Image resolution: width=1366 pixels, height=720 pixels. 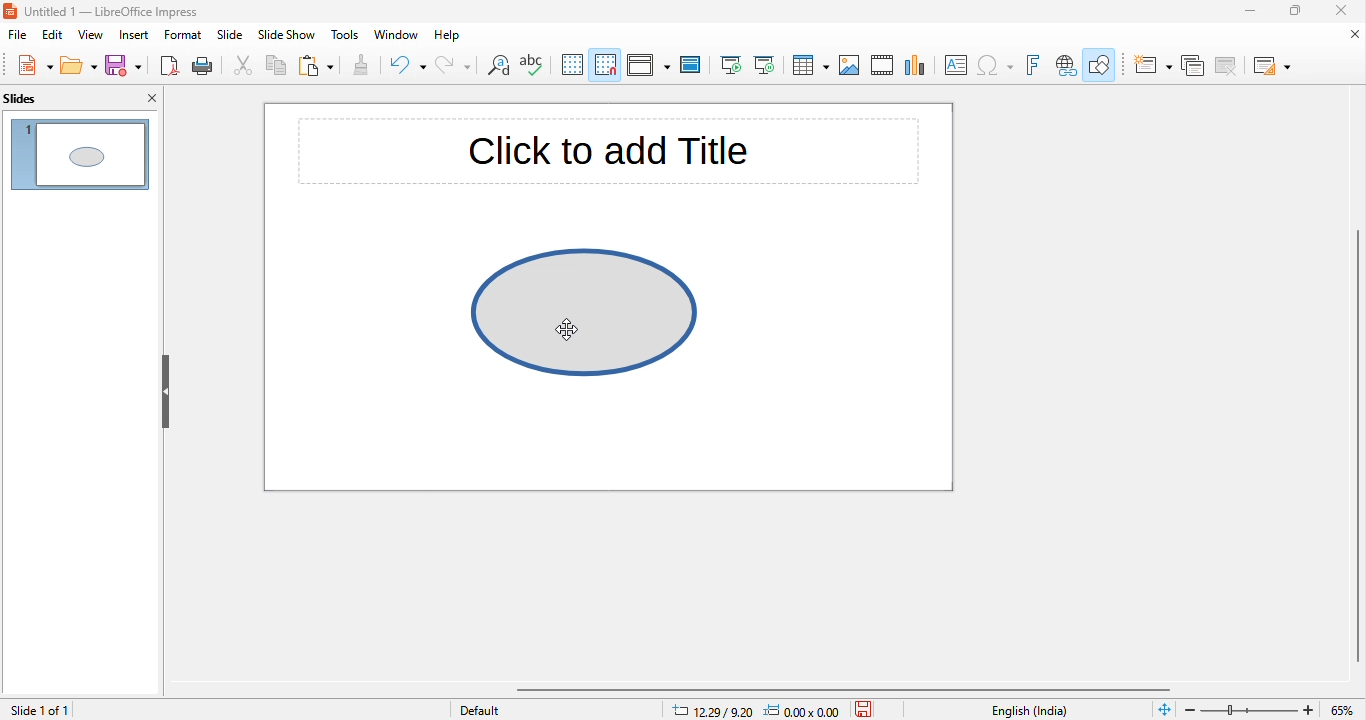 What do you see at coordinates (408, 69) in the screenshot?
I see `undo` at bounding box center [408, 69].